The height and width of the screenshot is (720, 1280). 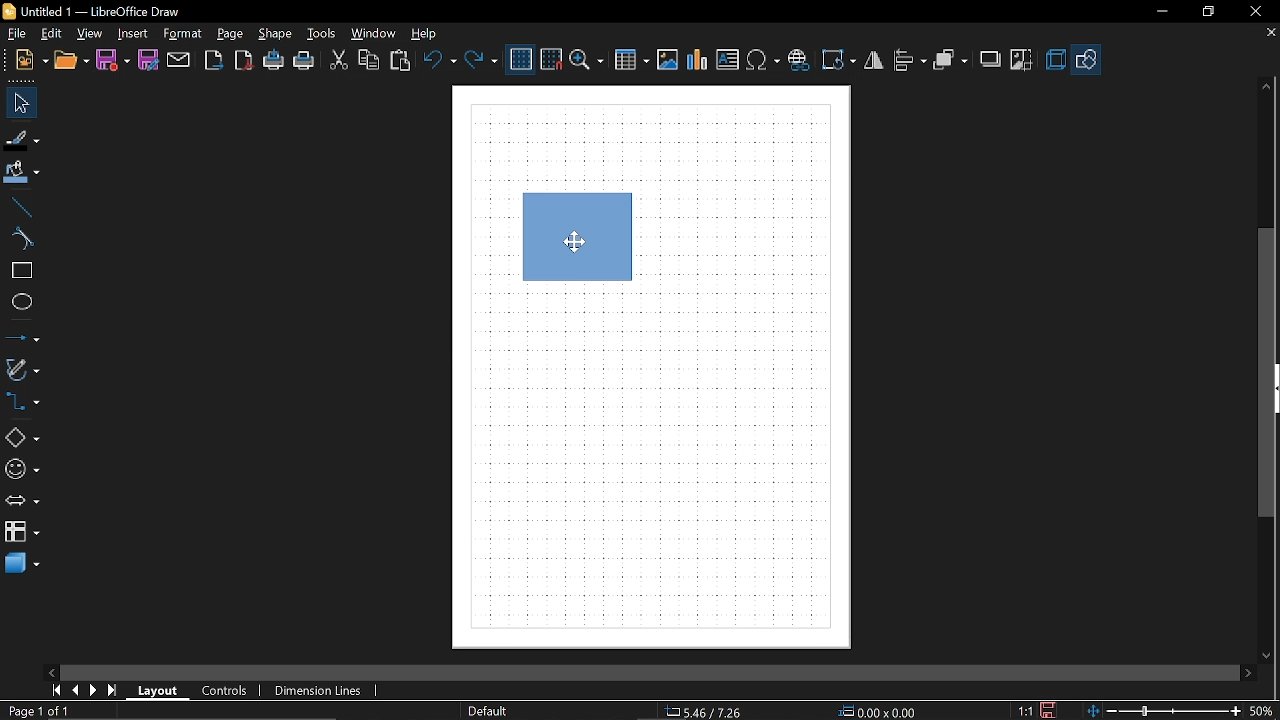 I want to click on Move right, so click(x=1250, y=672).